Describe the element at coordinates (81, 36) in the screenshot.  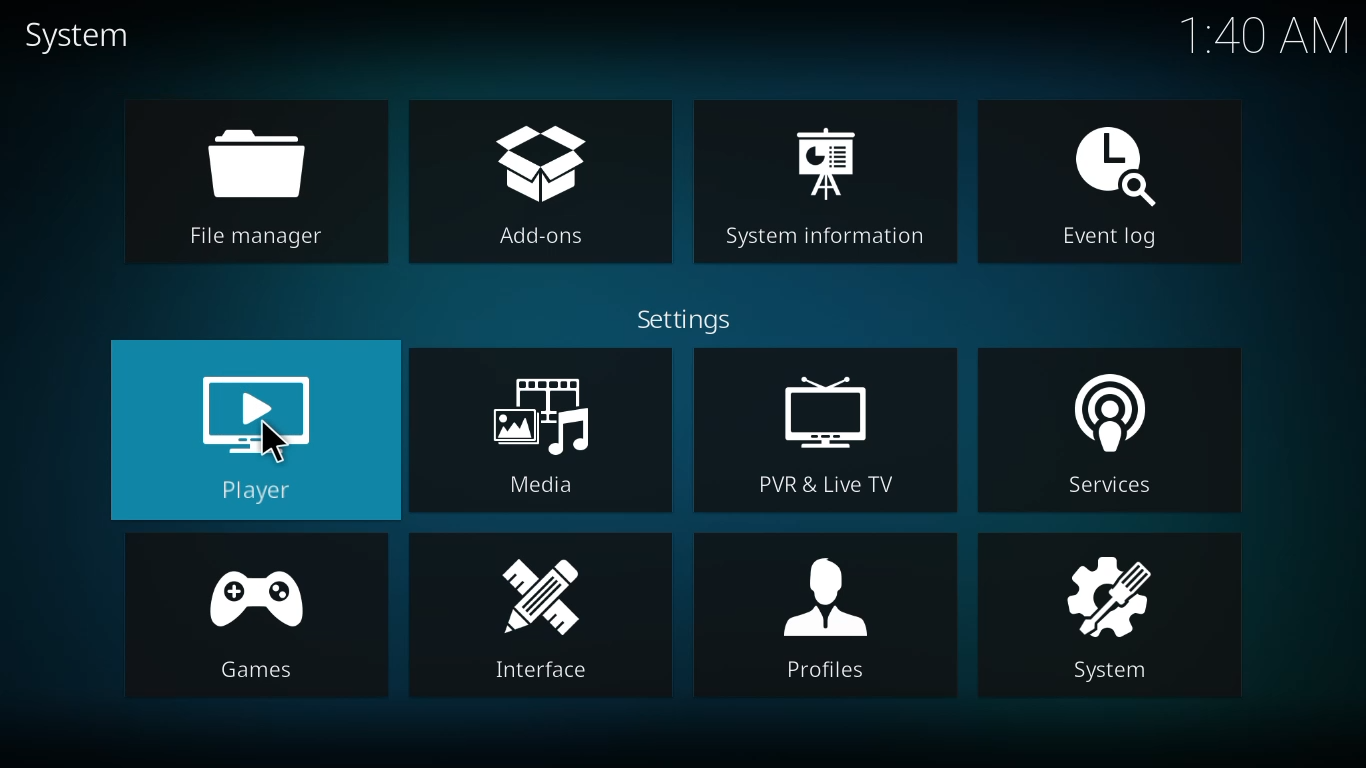
I see `system` at that location.